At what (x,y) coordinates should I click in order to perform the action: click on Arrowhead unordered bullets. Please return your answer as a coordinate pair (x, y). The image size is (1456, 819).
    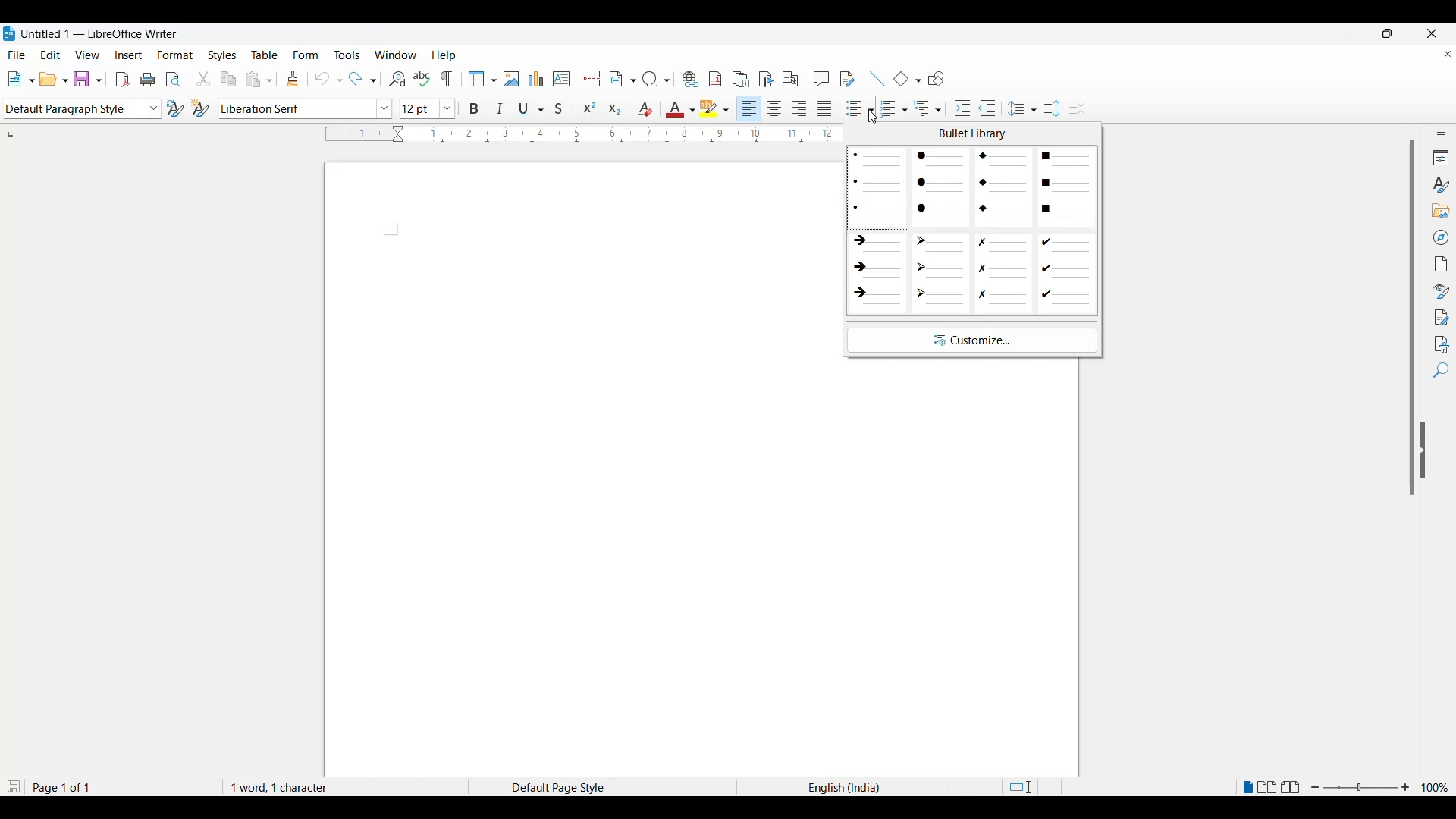
    Looking at the image, I should click on (940, 270).